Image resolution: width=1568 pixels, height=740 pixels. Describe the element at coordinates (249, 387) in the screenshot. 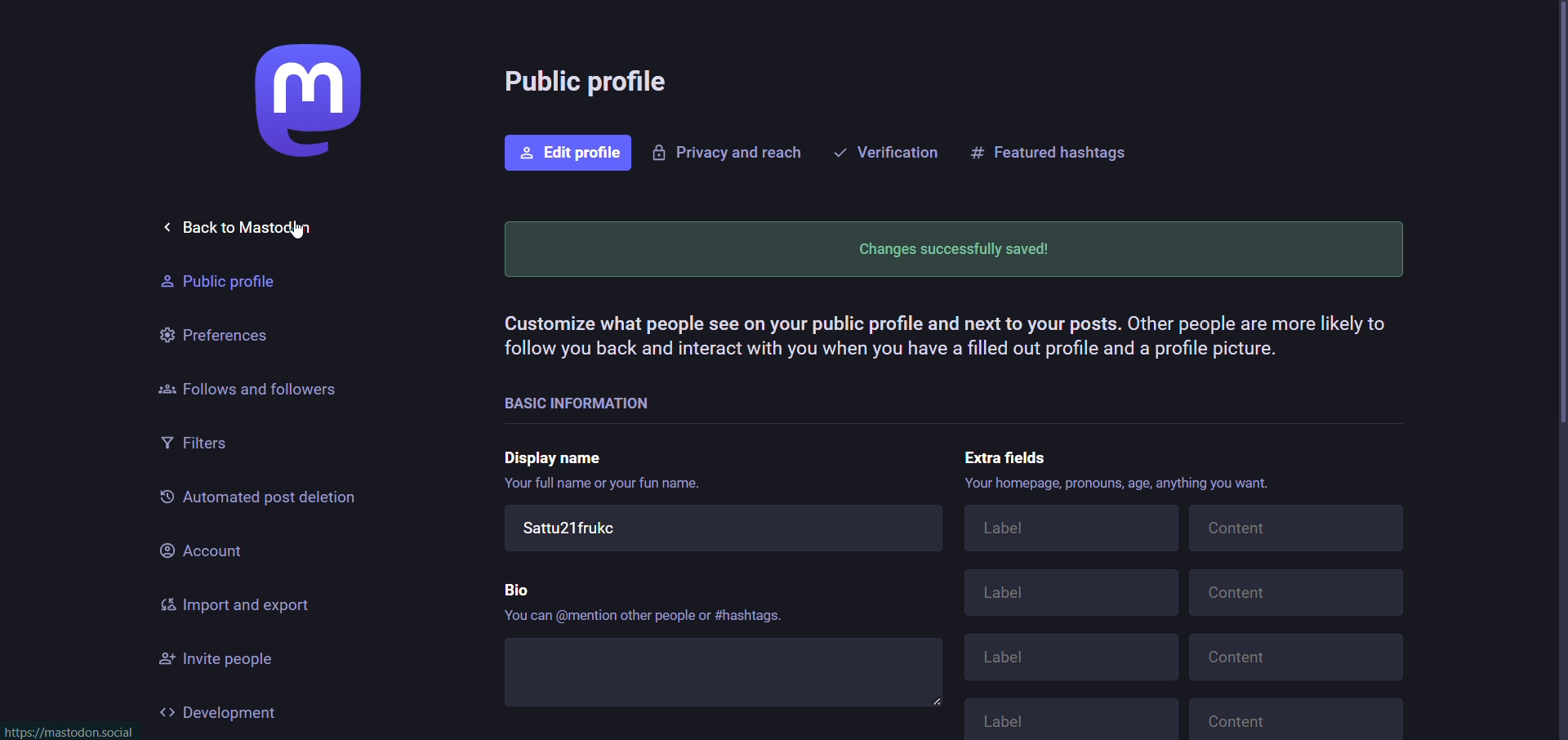

I see `followers and follows` at that location.